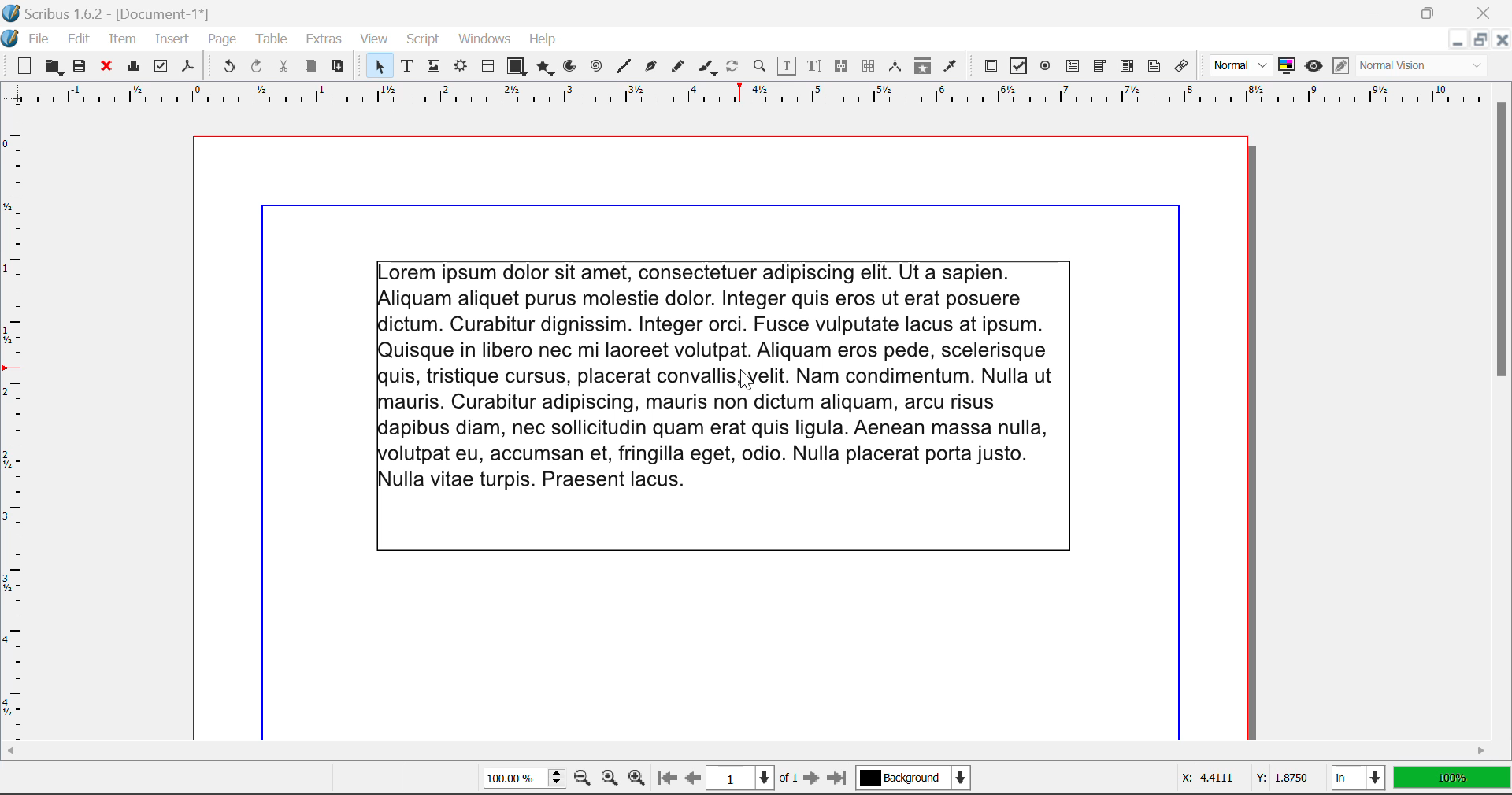 This screenshot has height=795, width=1512. What do you see at coordinates (922, 68) in the screenshot?
I see `Copy Item Properties` at bounding box center [922, 68].